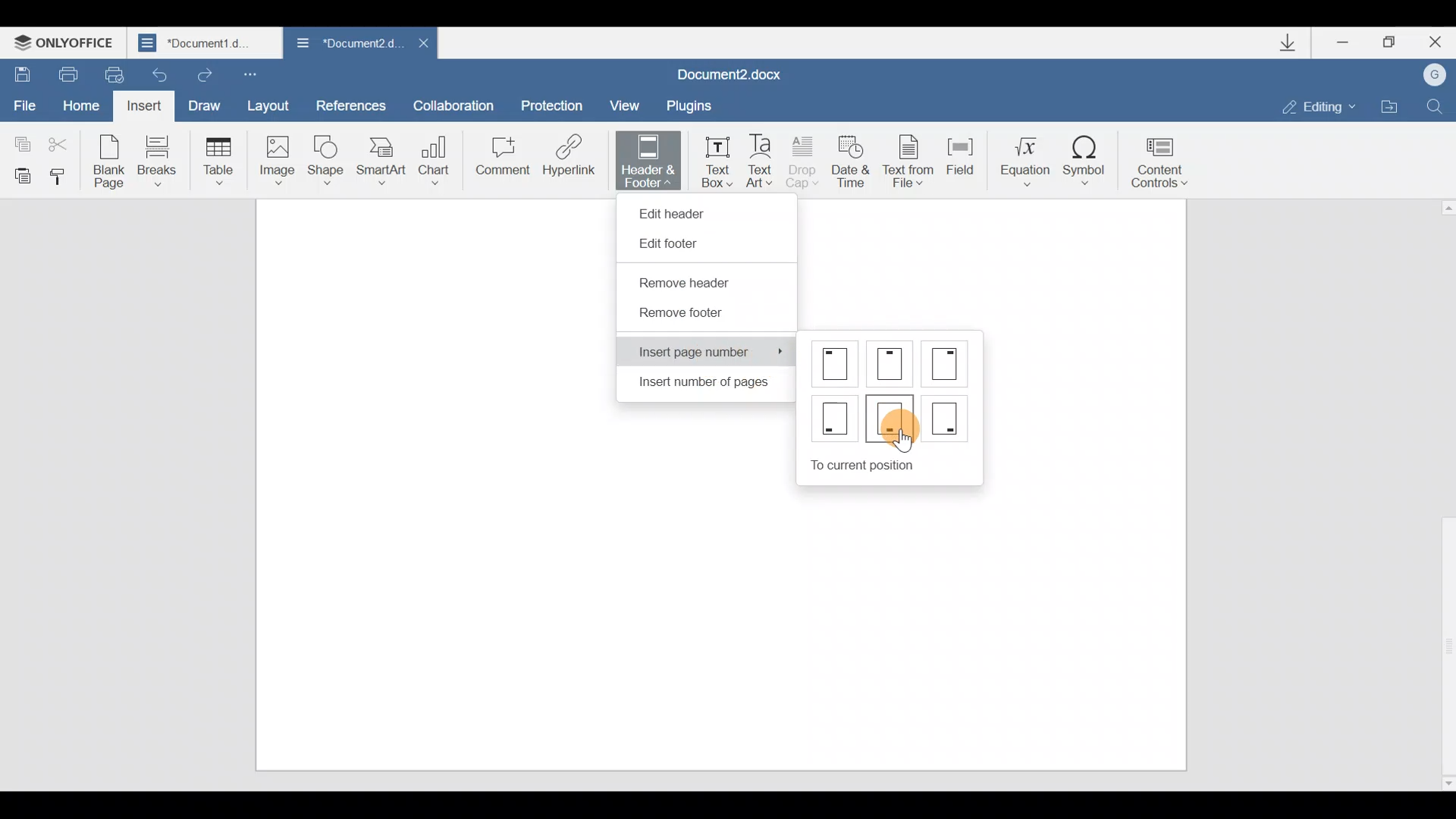 The image size is (1456, 819). Describe the element at coordinates (682, 317) in the screenshot. I see `Remove footer` at that location.